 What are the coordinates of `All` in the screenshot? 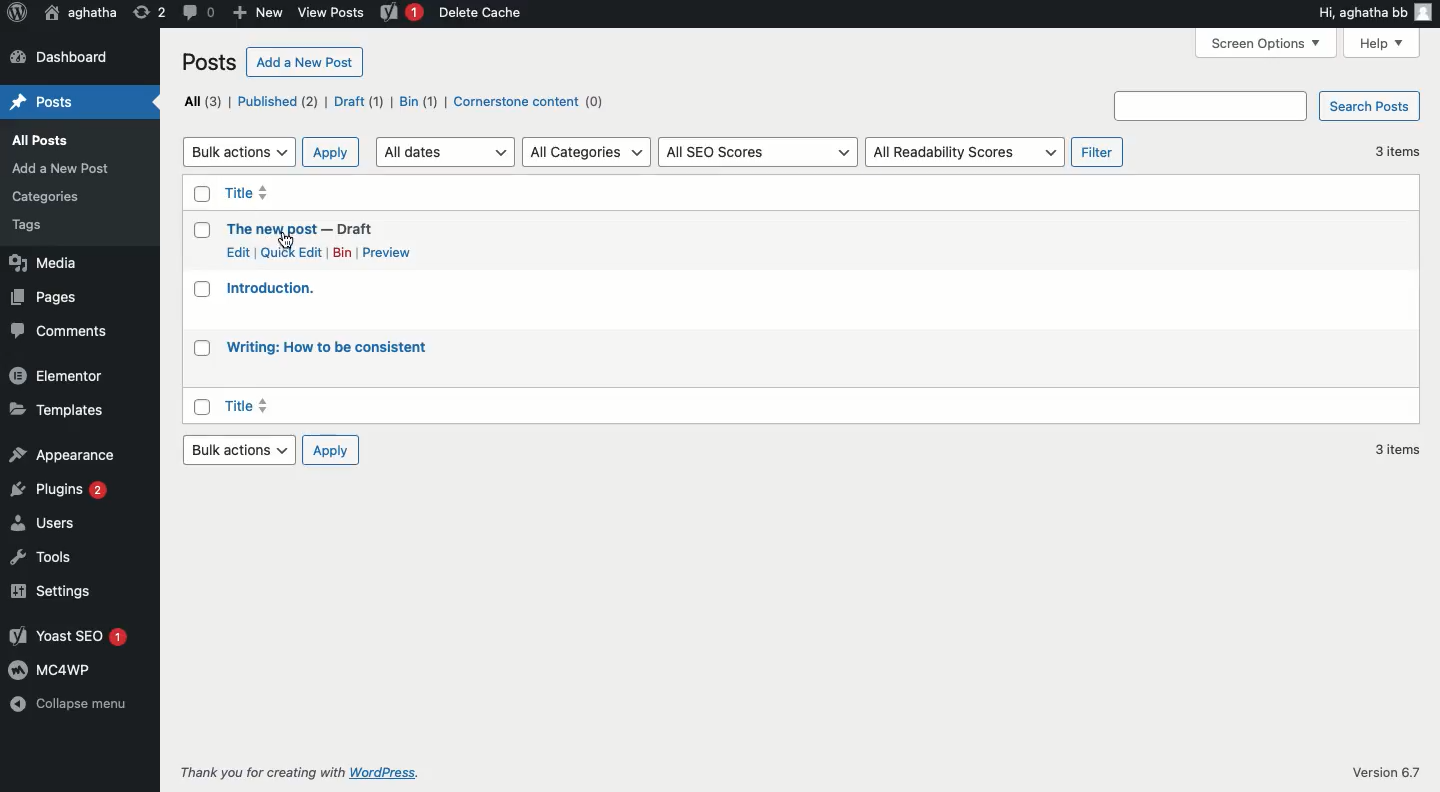 It's located at (199, 101).